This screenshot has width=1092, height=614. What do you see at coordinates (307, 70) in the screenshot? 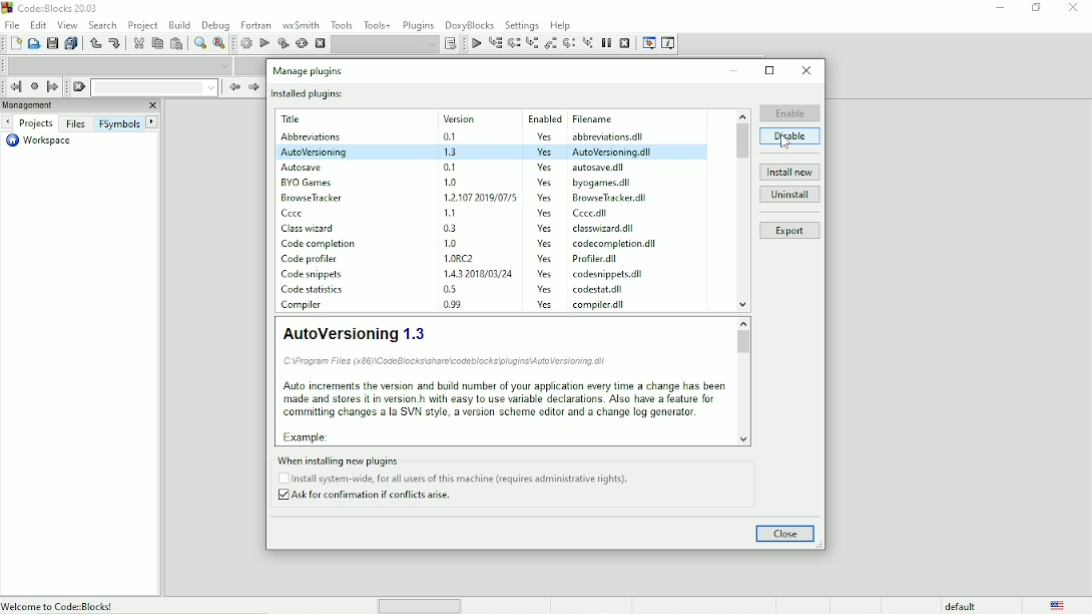
I see `Manage plugins` at bounding box center [307, 70].